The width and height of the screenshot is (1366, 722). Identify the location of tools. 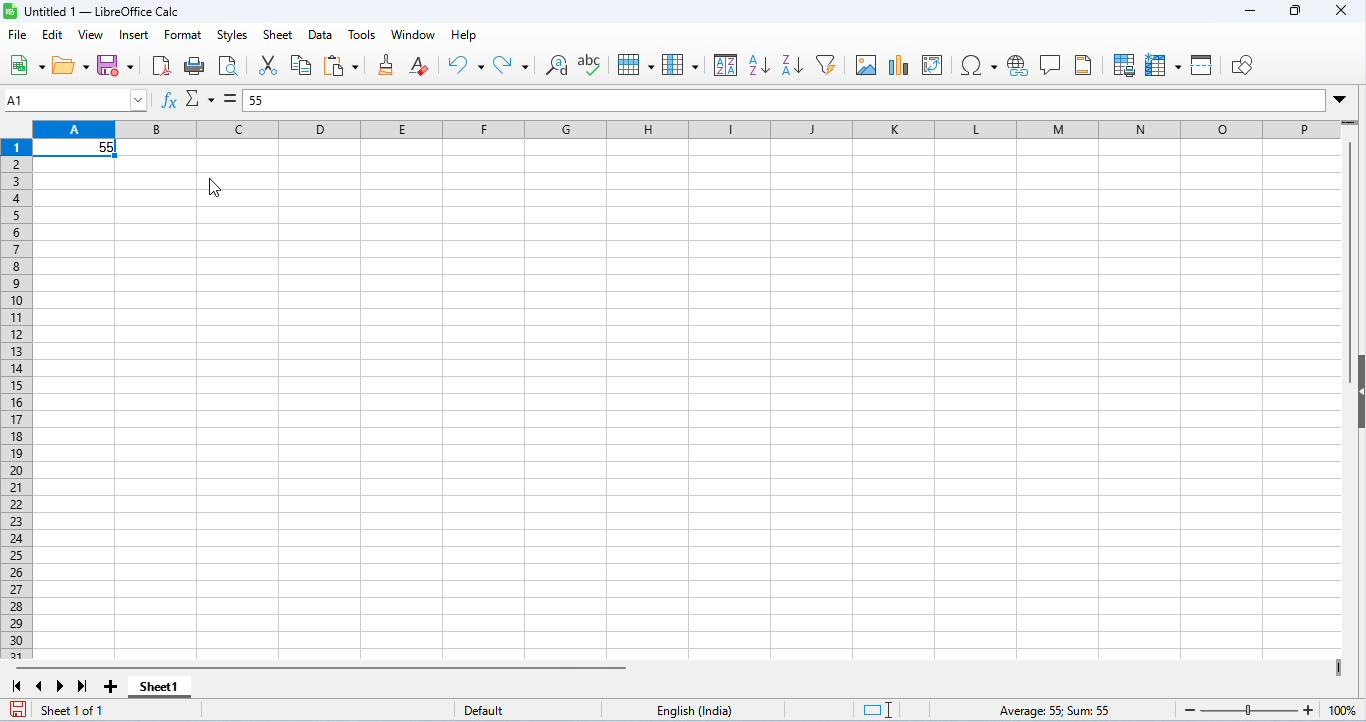
(362, 34).